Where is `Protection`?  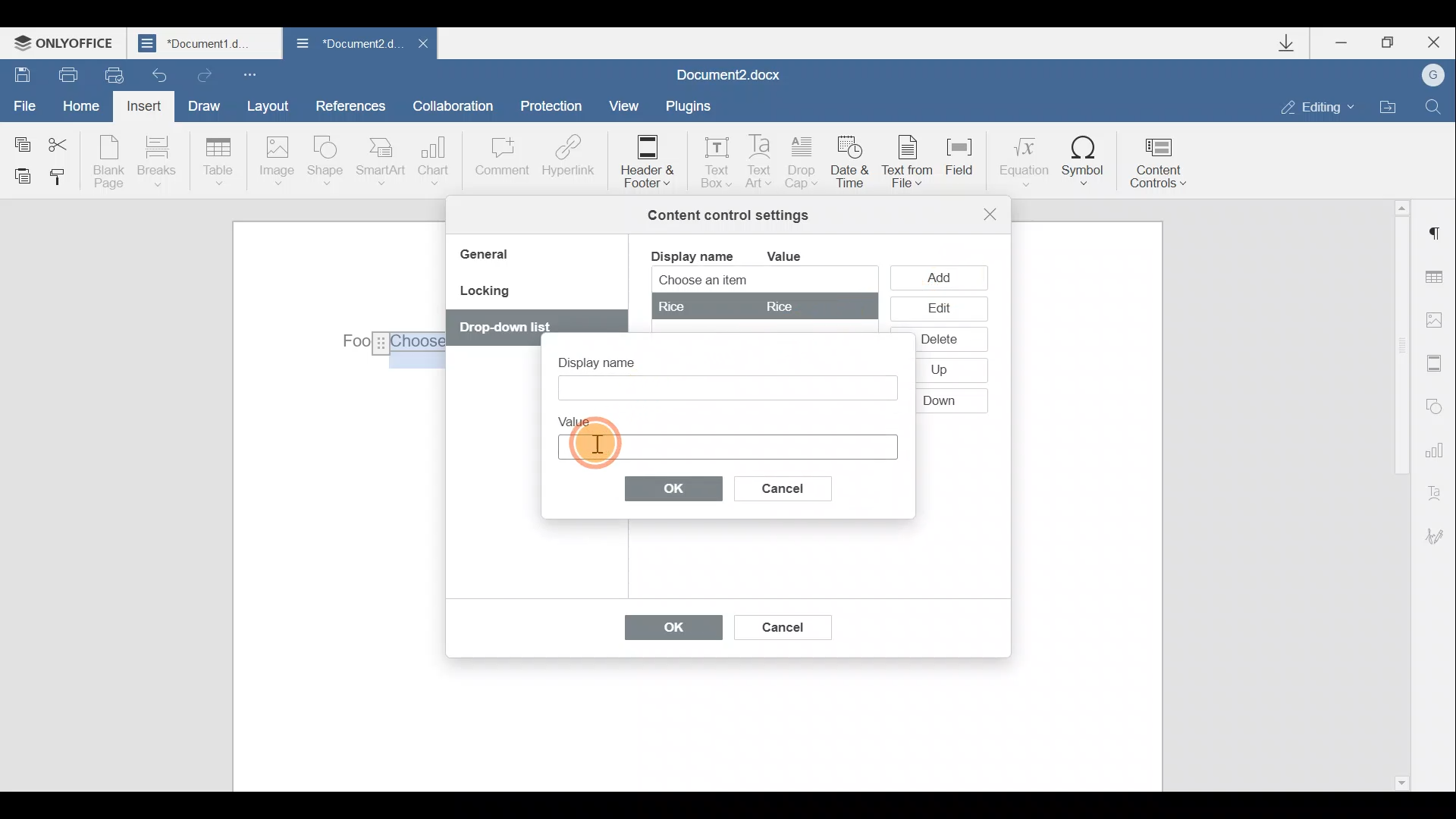
Protection is located at coordinates (555, 108).